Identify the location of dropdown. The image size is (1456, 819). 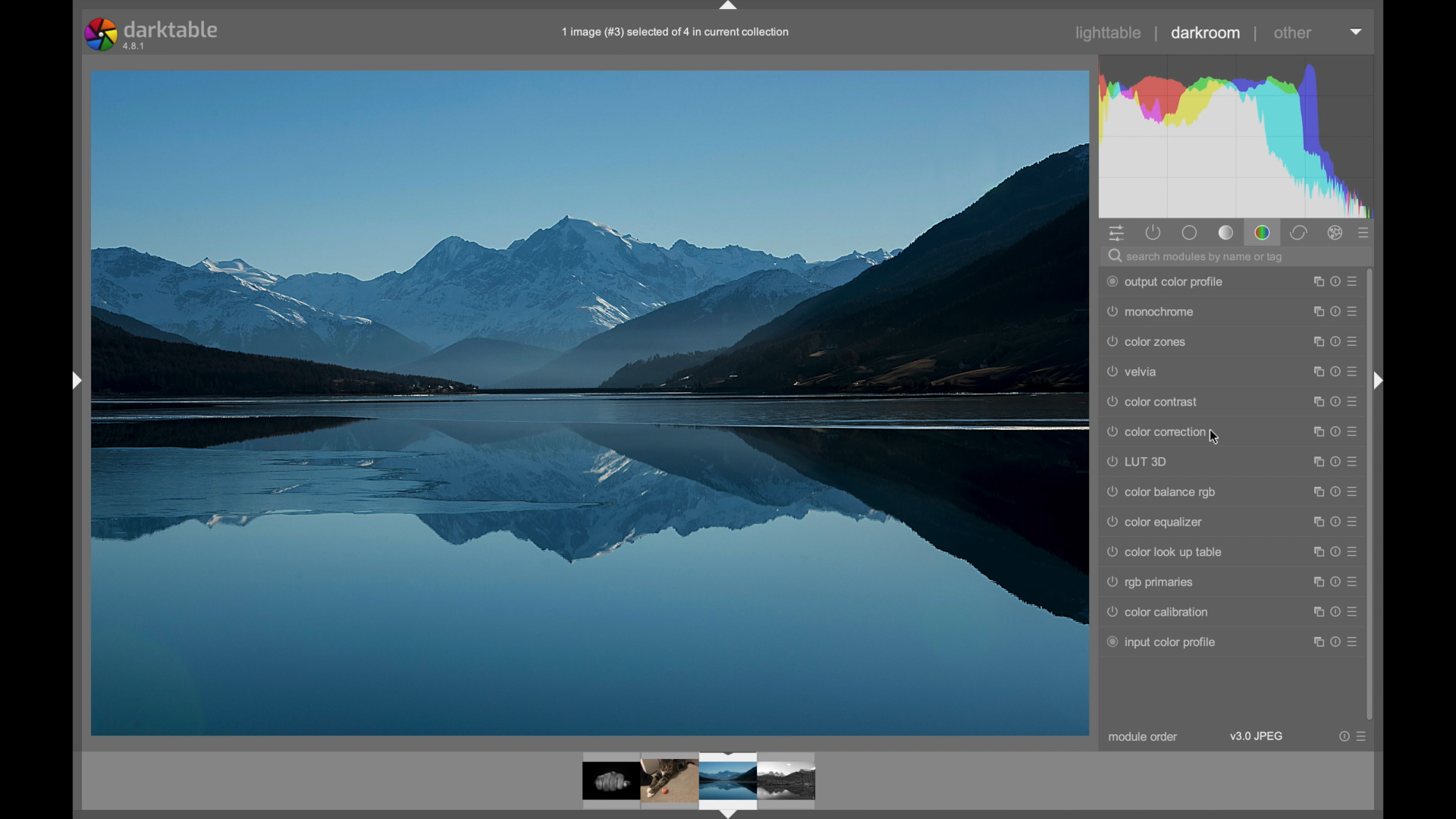
(1356, 32).